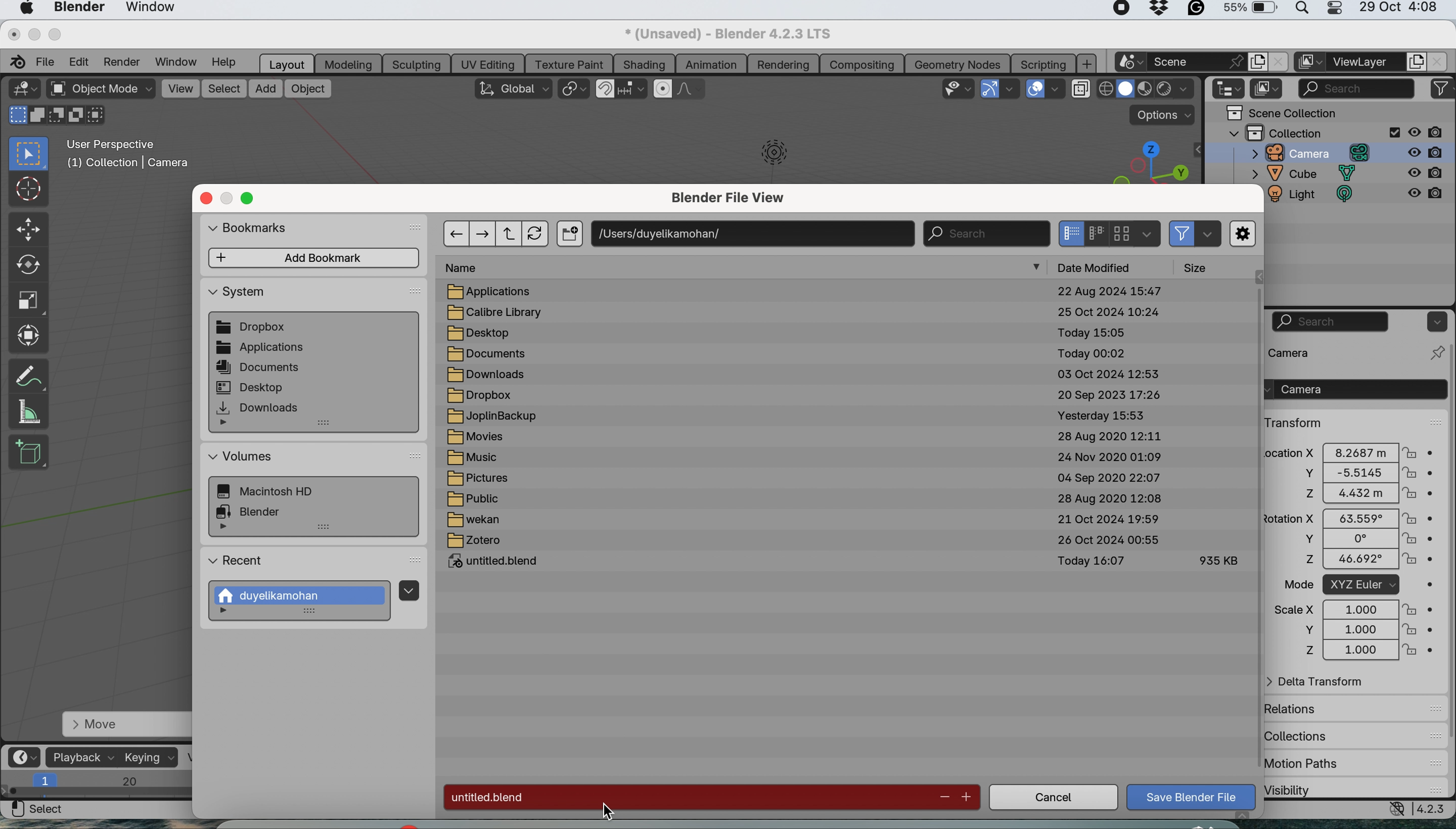 This screenshot has height=829, width=1456. Describe the element at coordinates (1160, 10) in the screenshot. I see `dropbox` at that location.